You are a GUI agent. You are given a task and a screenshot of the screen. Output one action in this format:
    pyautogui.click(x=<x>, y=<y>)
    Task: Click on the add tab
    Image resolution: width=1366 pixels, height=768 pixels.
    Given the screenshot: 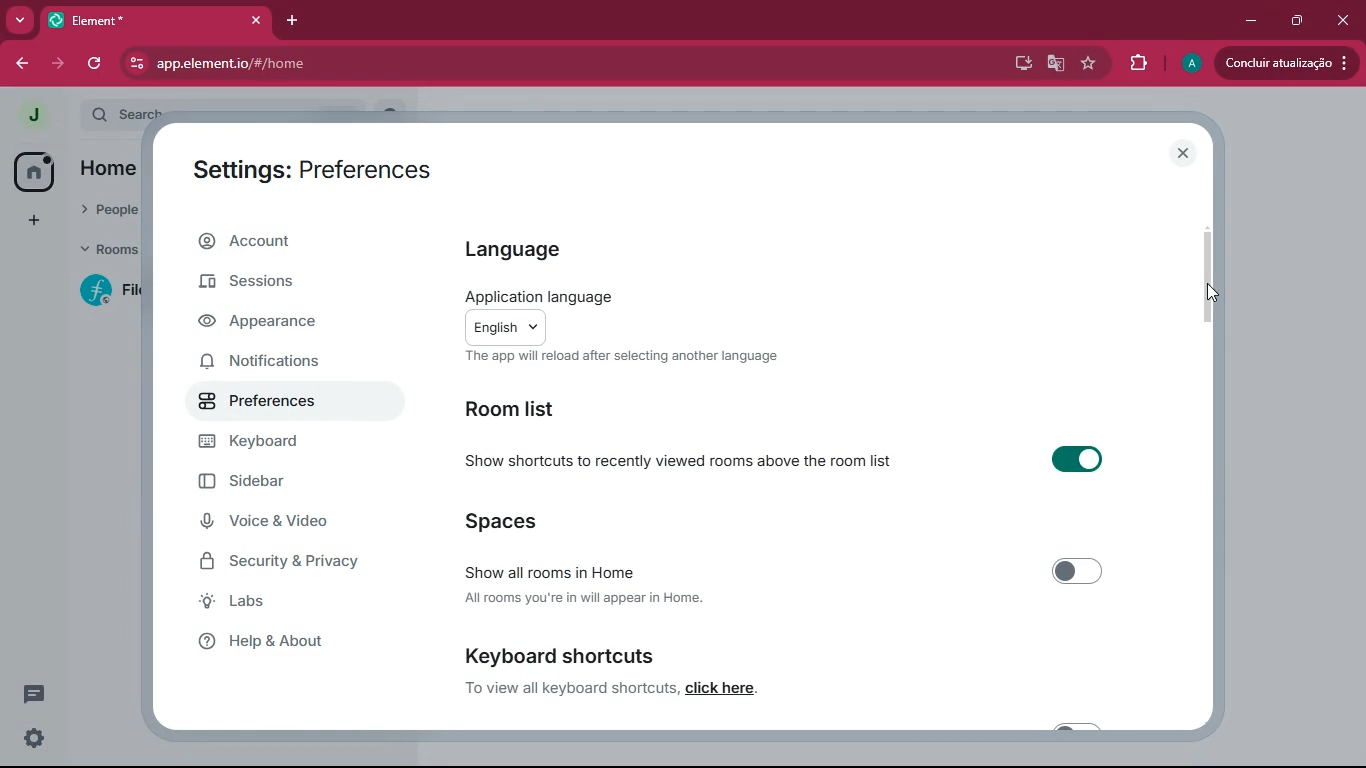 What is the action you would take?
    pyautogui.click(x=295, y=21)
    